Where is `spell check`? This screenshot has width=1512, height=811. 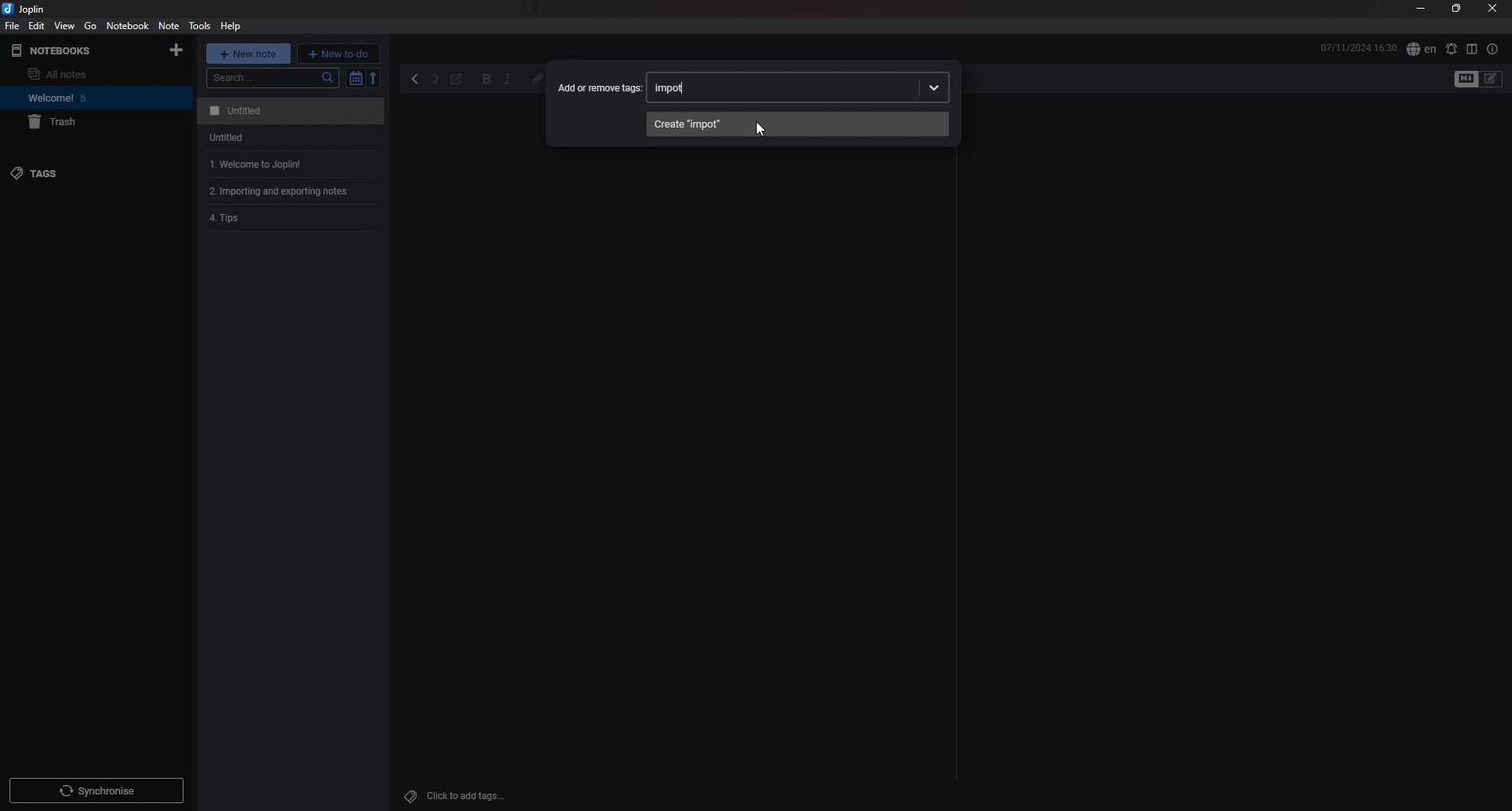 spell check is located at coordinates (1421, 50).